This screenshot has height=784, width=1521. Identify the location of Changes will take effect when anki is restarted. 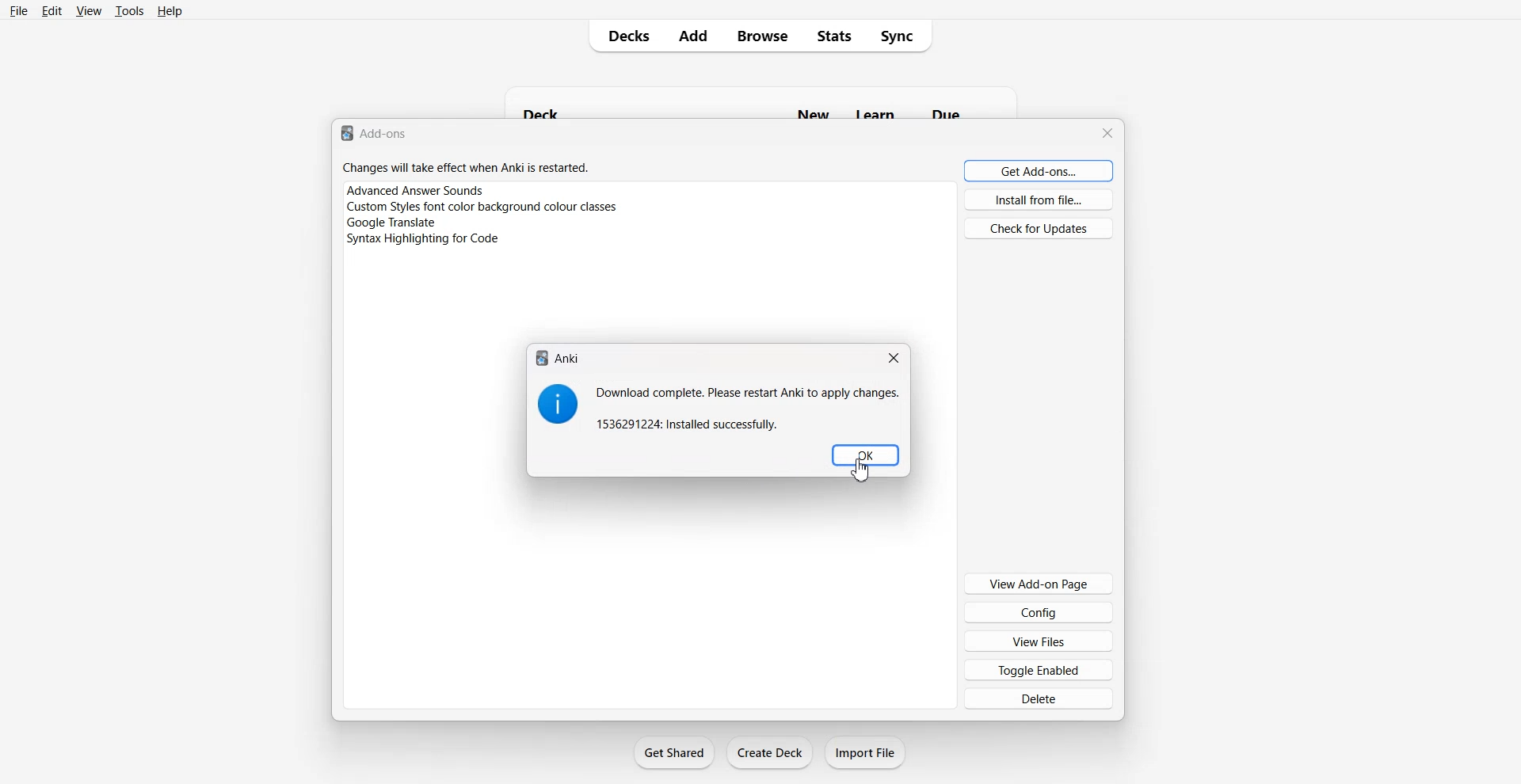
(466, 168).